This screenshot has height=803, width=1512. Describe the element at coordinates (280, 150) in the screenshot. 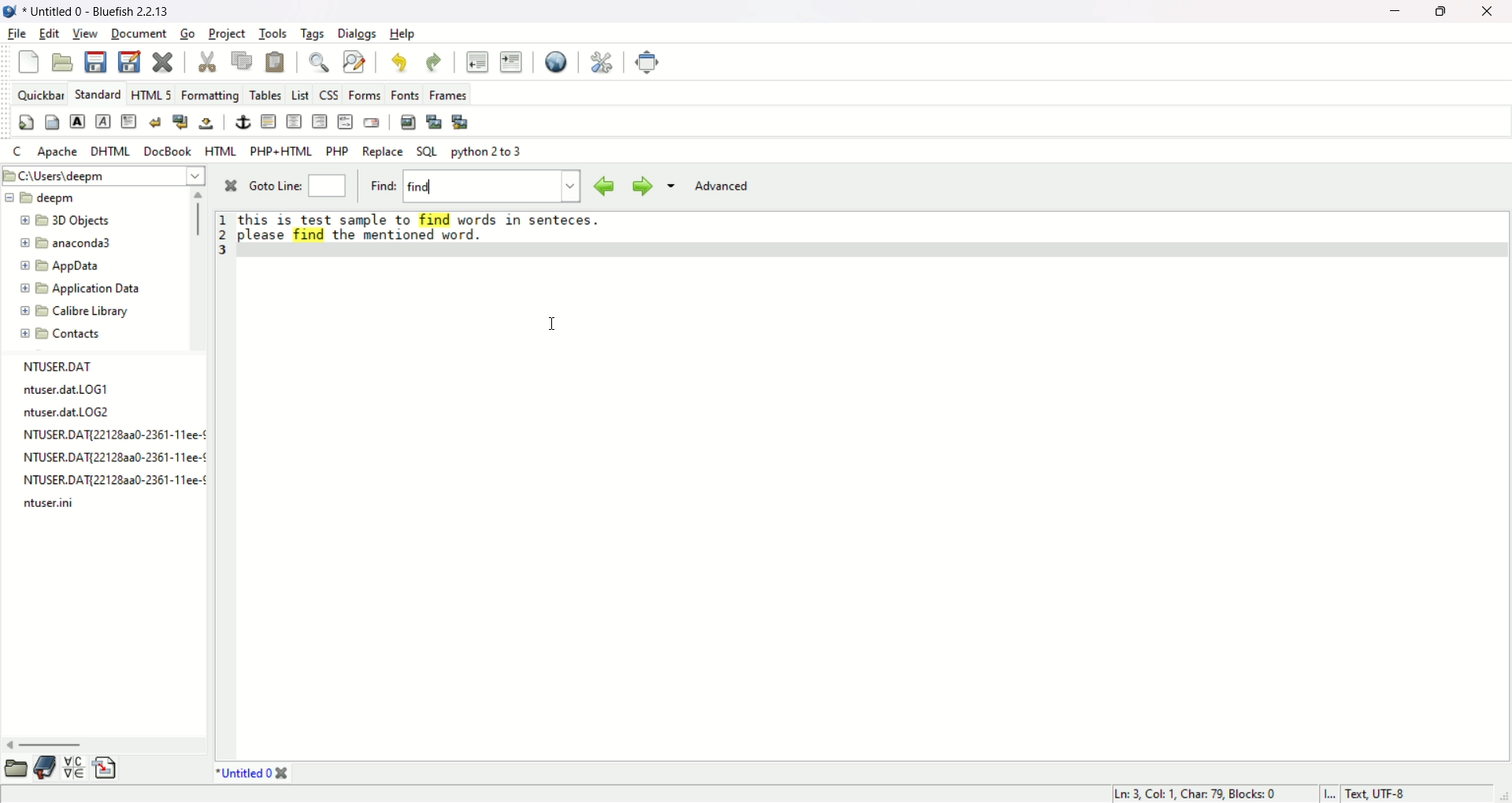

I see `PHP+HTML` at that location.